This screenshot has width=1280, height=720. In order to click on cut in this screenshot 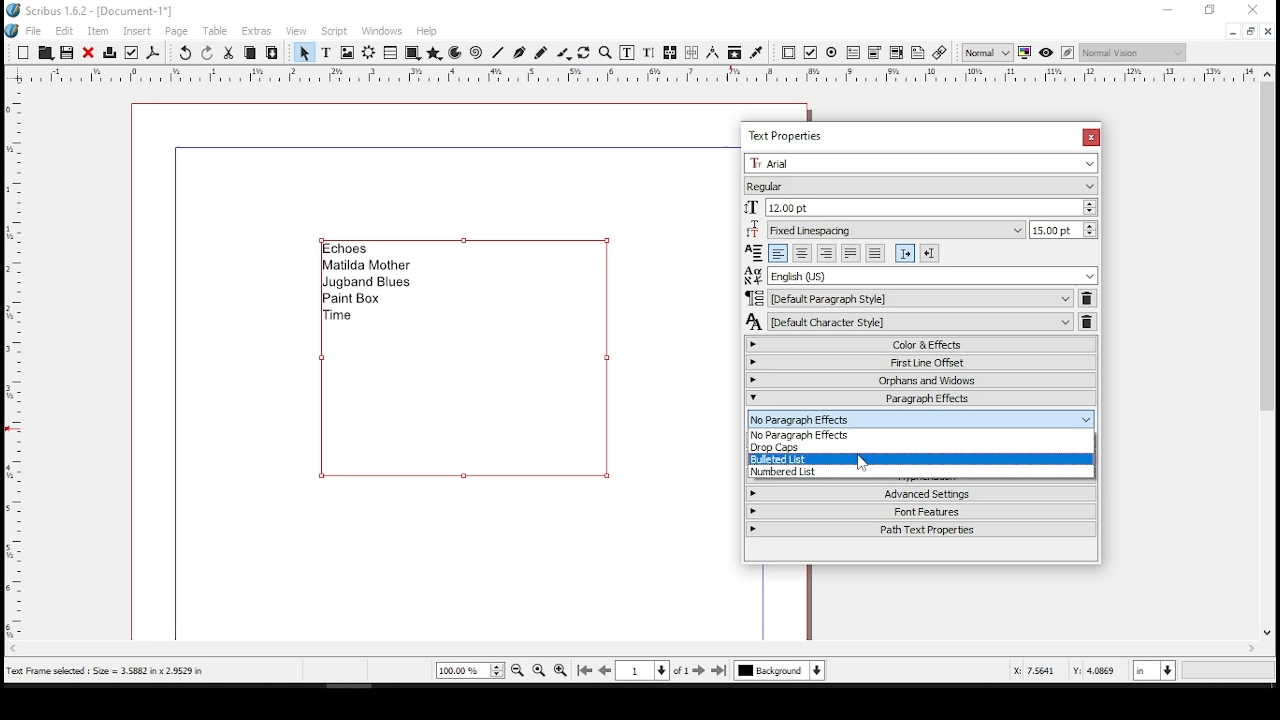, I will do `click(229, 52)`.